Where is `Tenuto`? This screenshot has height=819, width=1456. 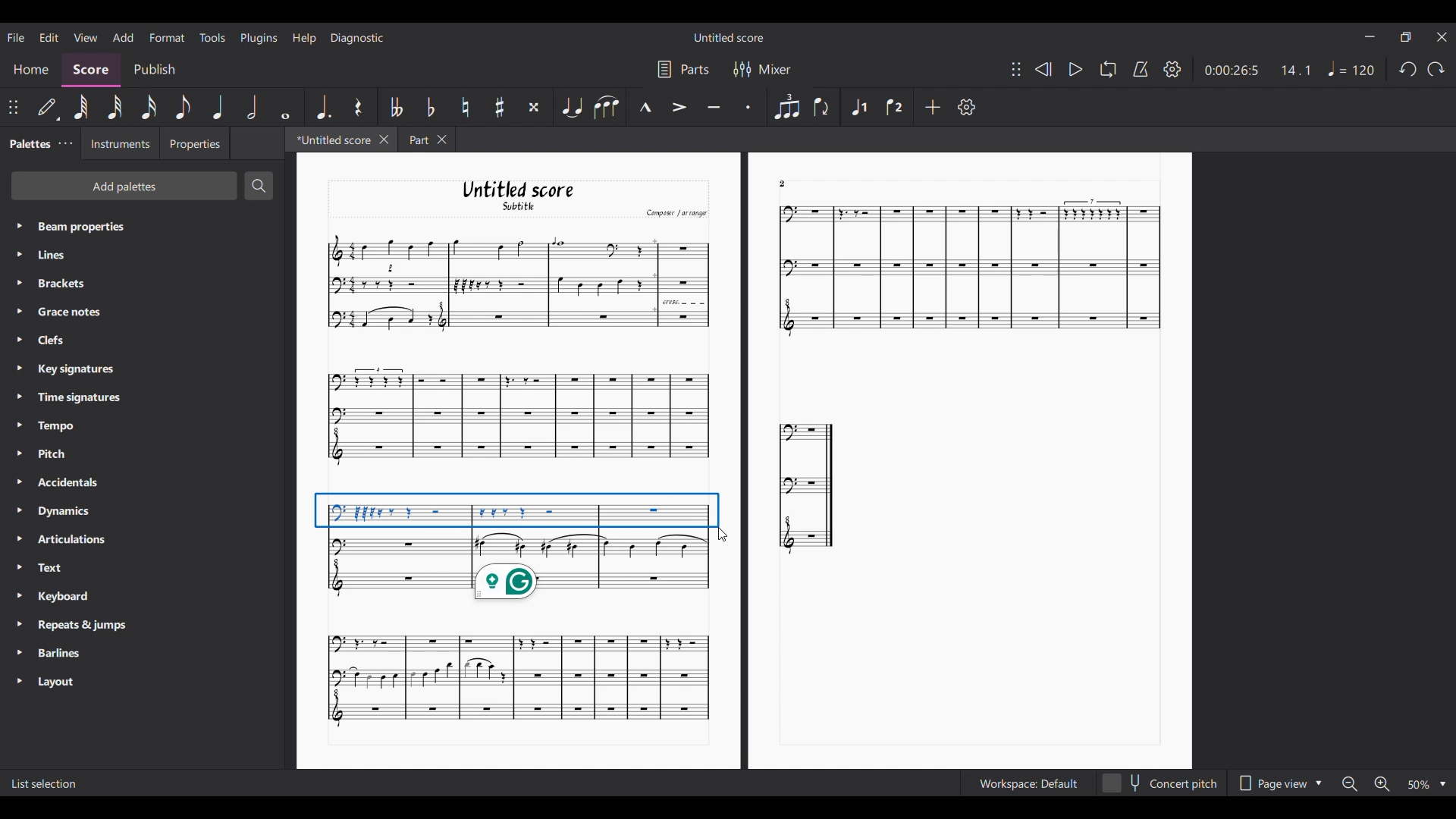 Tenuto is located at coordinates (713, 108).